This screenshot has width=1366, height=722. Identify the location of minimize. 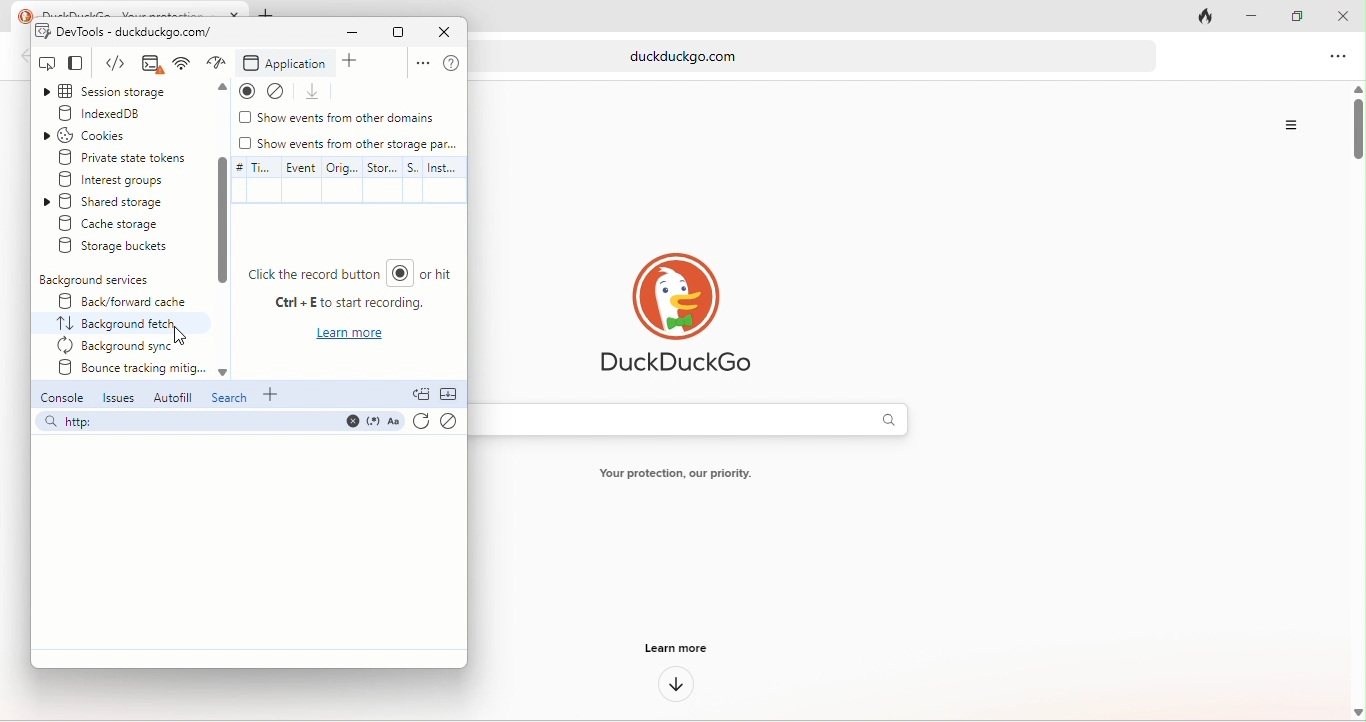
(345, 34).